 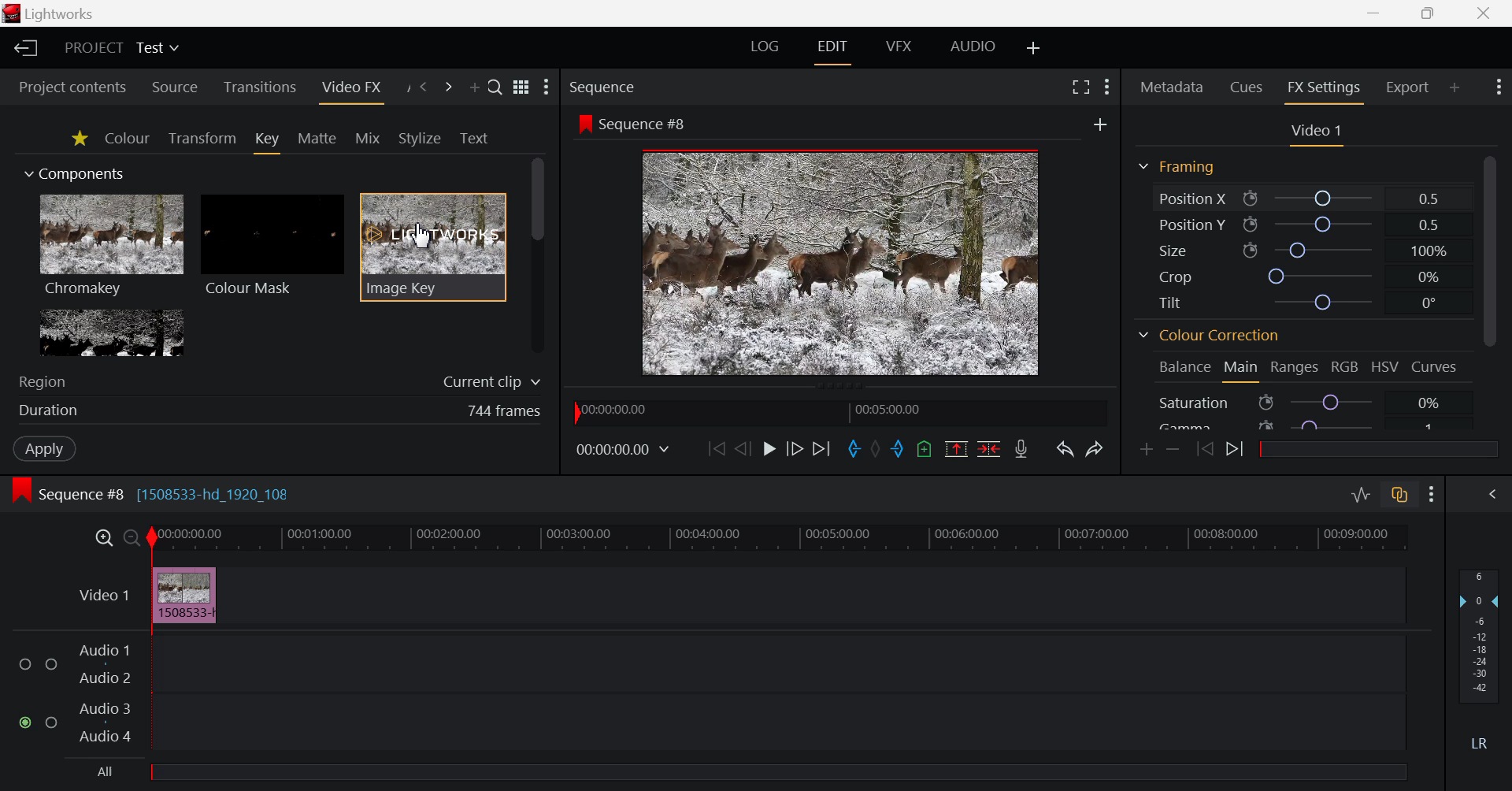 I want to click on Matte, so click(x=320, y=139).